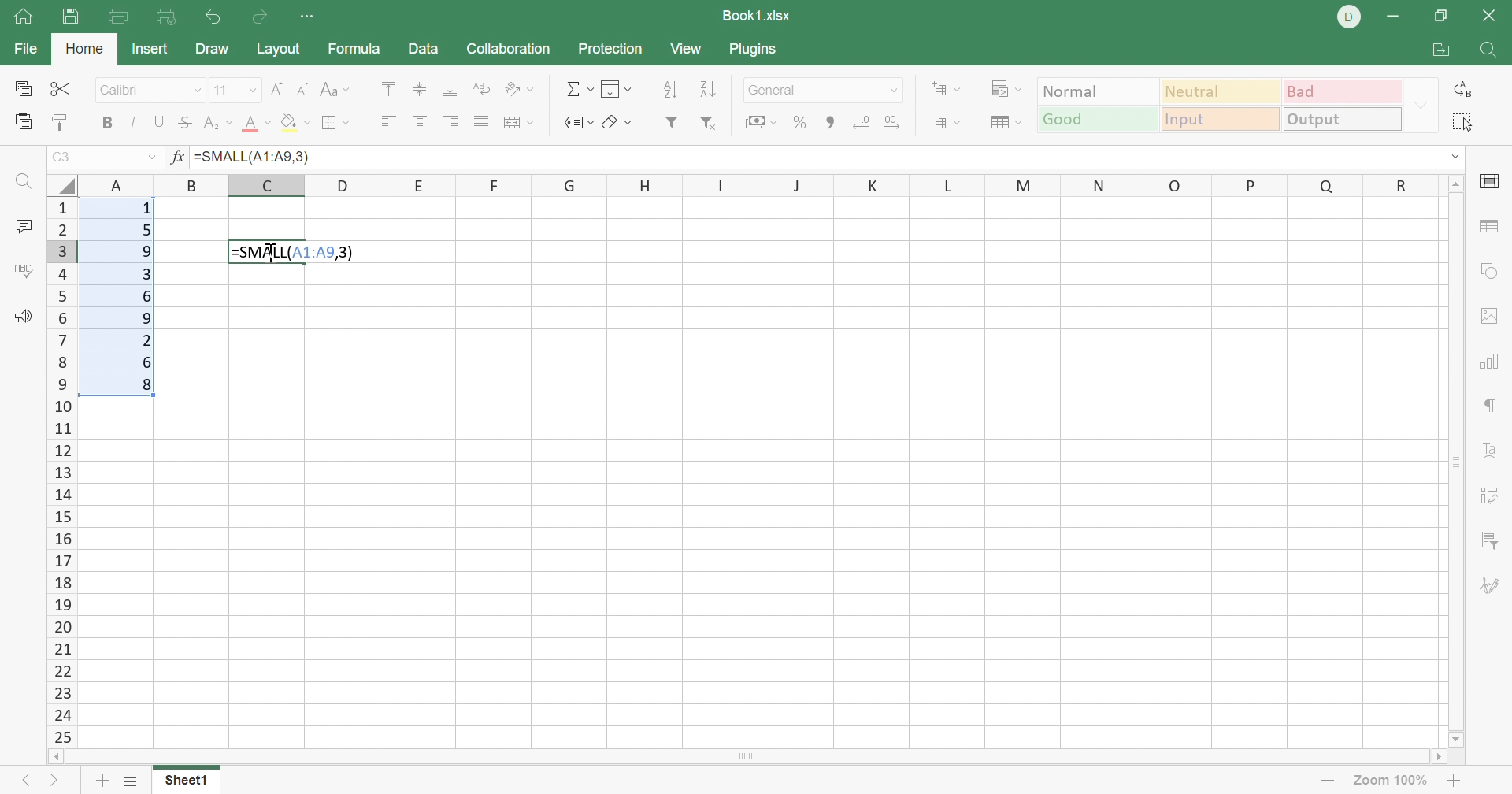  I want to click on Font size, so click(235, 88).